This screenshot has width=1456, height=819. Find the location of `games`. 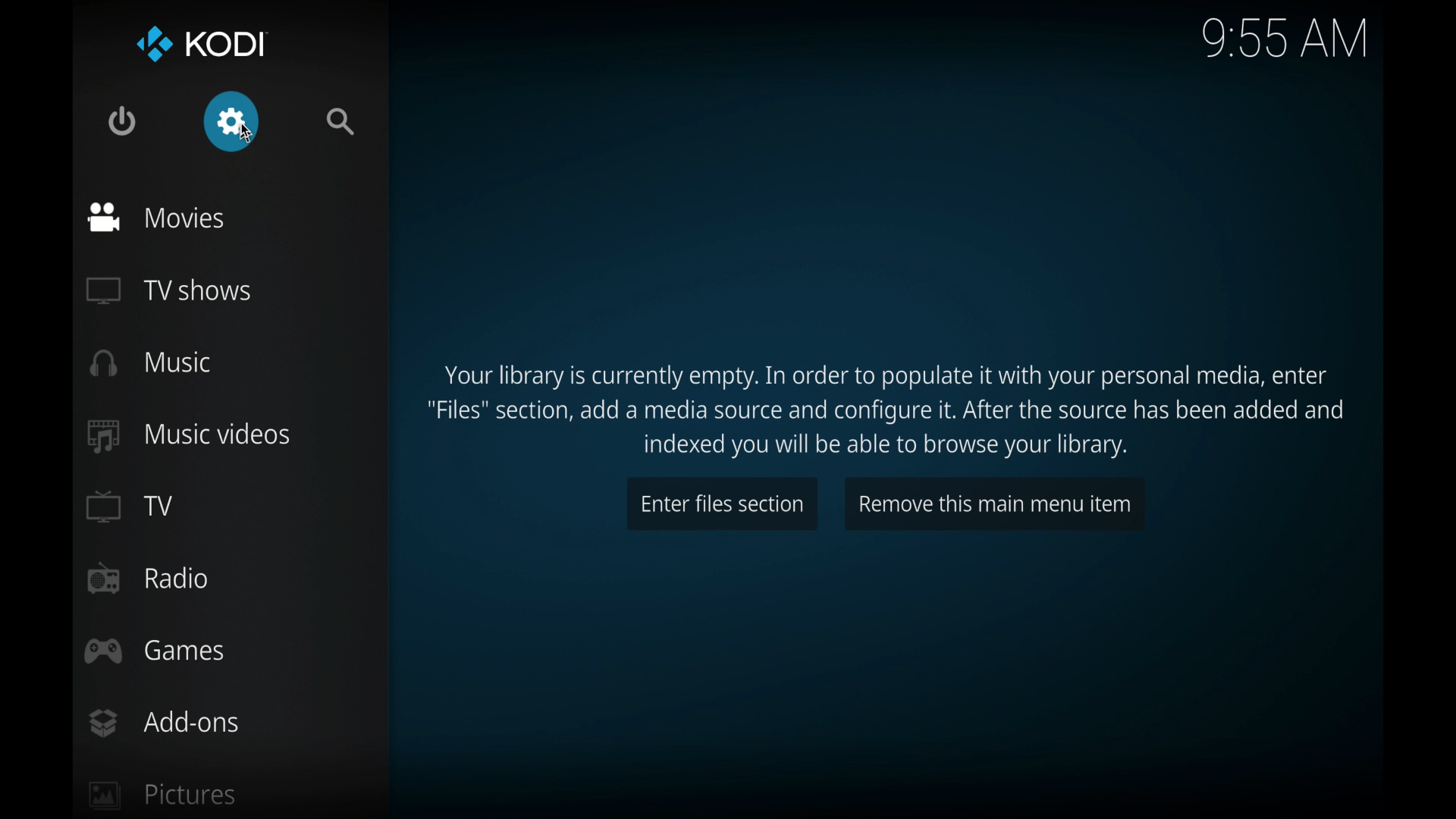

games is located at coordinates (156, 652).